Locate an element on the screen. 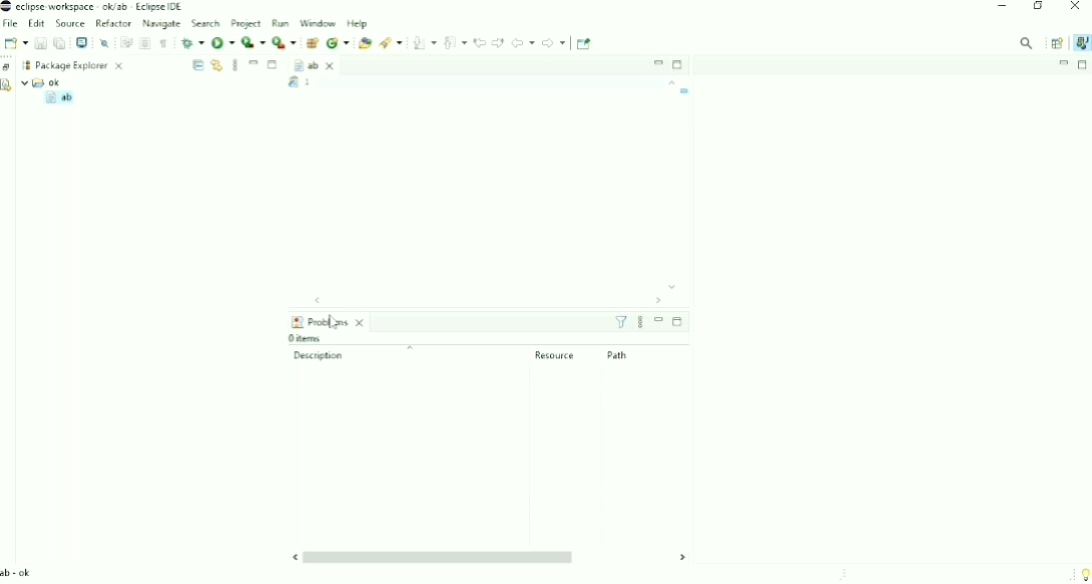 The image size is (1092, 584). Horizontal scrollbar is located at coordinates (476, 301).